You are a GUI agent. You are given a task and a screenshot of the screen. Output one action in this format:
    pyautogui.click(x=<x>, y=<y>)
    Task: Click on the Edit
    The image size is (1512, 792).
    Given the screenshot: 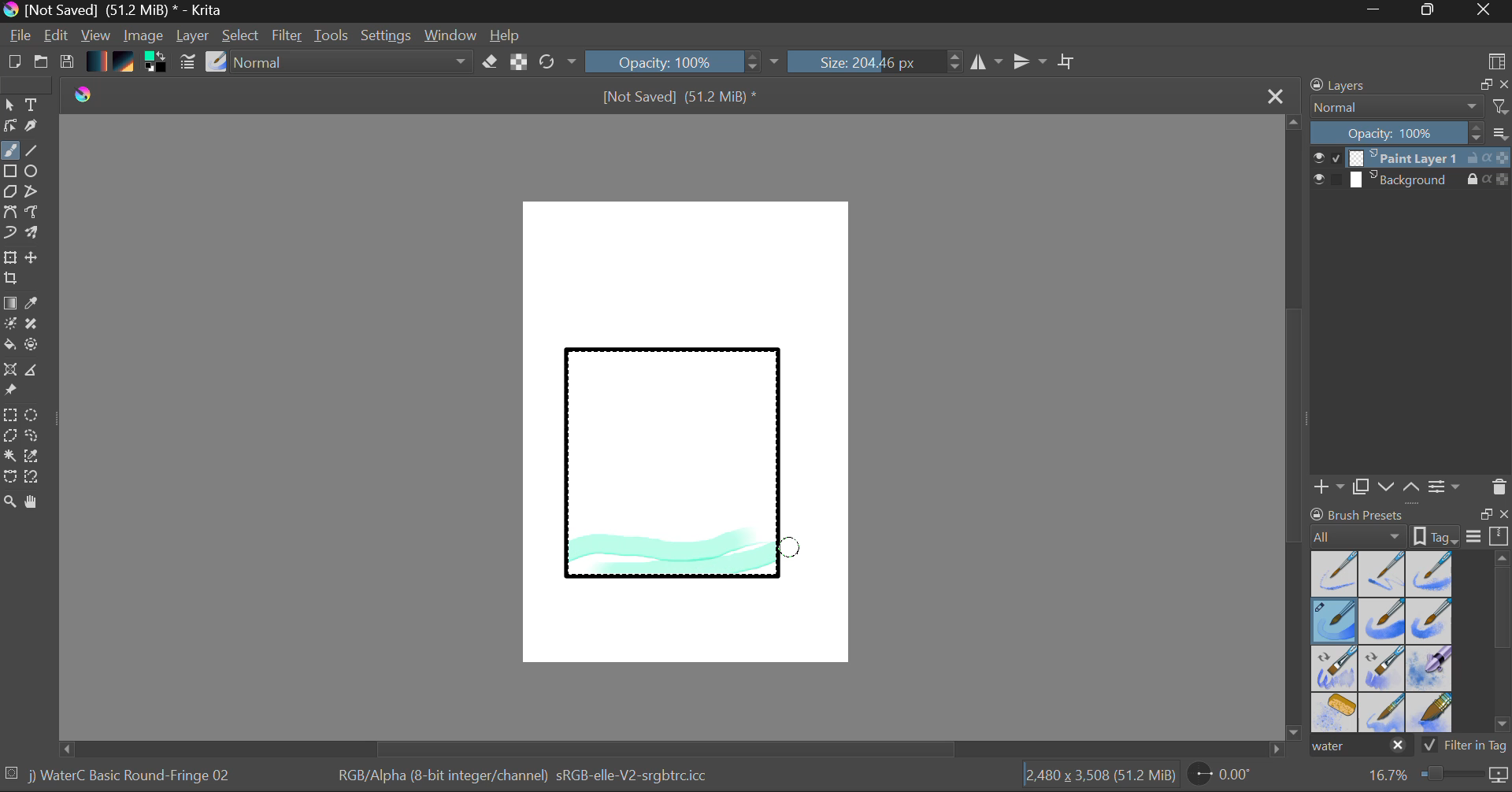 What is the action you would take?
    pyautogui.click(x=57, y=37)
    